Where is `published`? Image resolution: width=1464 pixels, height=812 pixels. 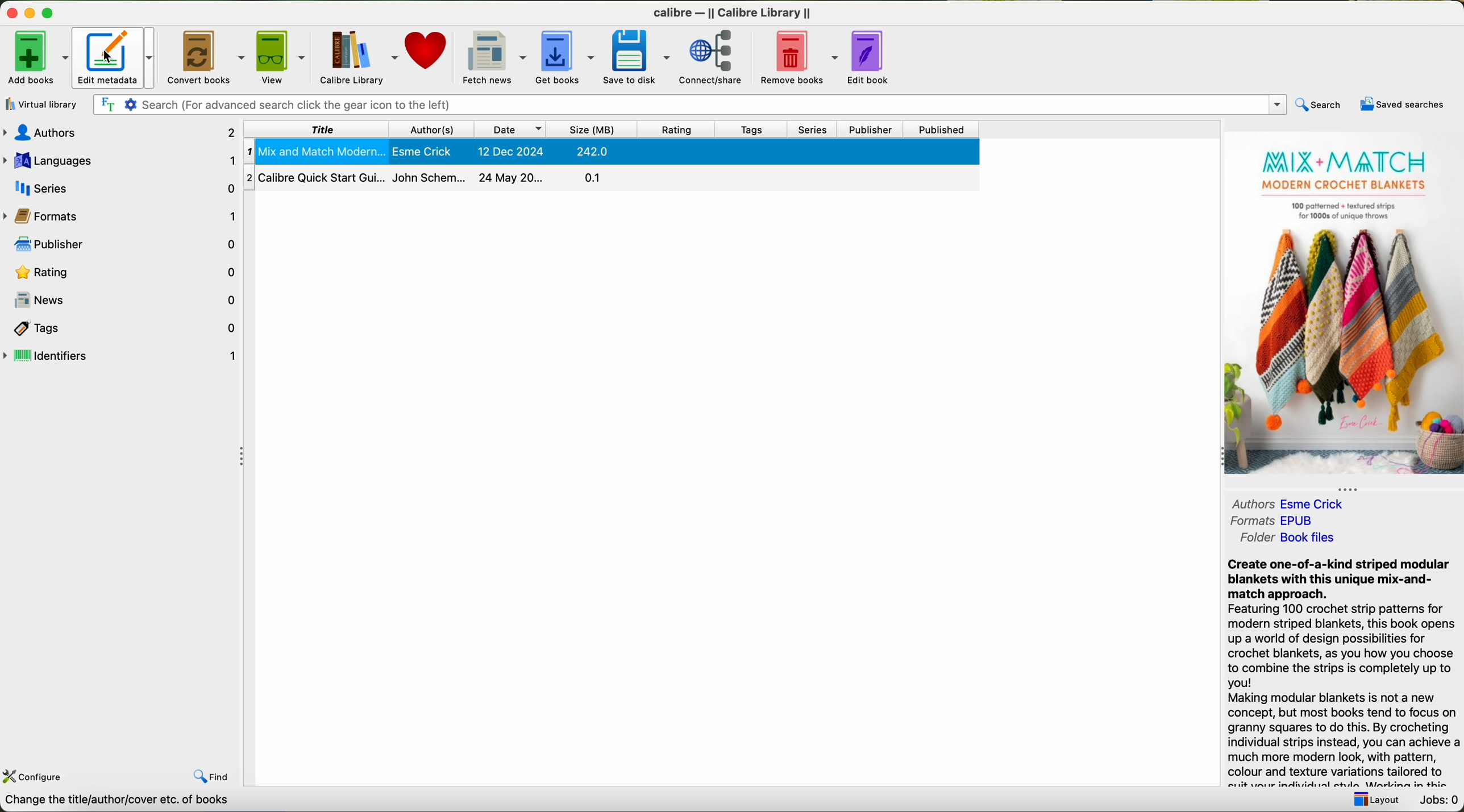 published is located at coordinates (942, 129).